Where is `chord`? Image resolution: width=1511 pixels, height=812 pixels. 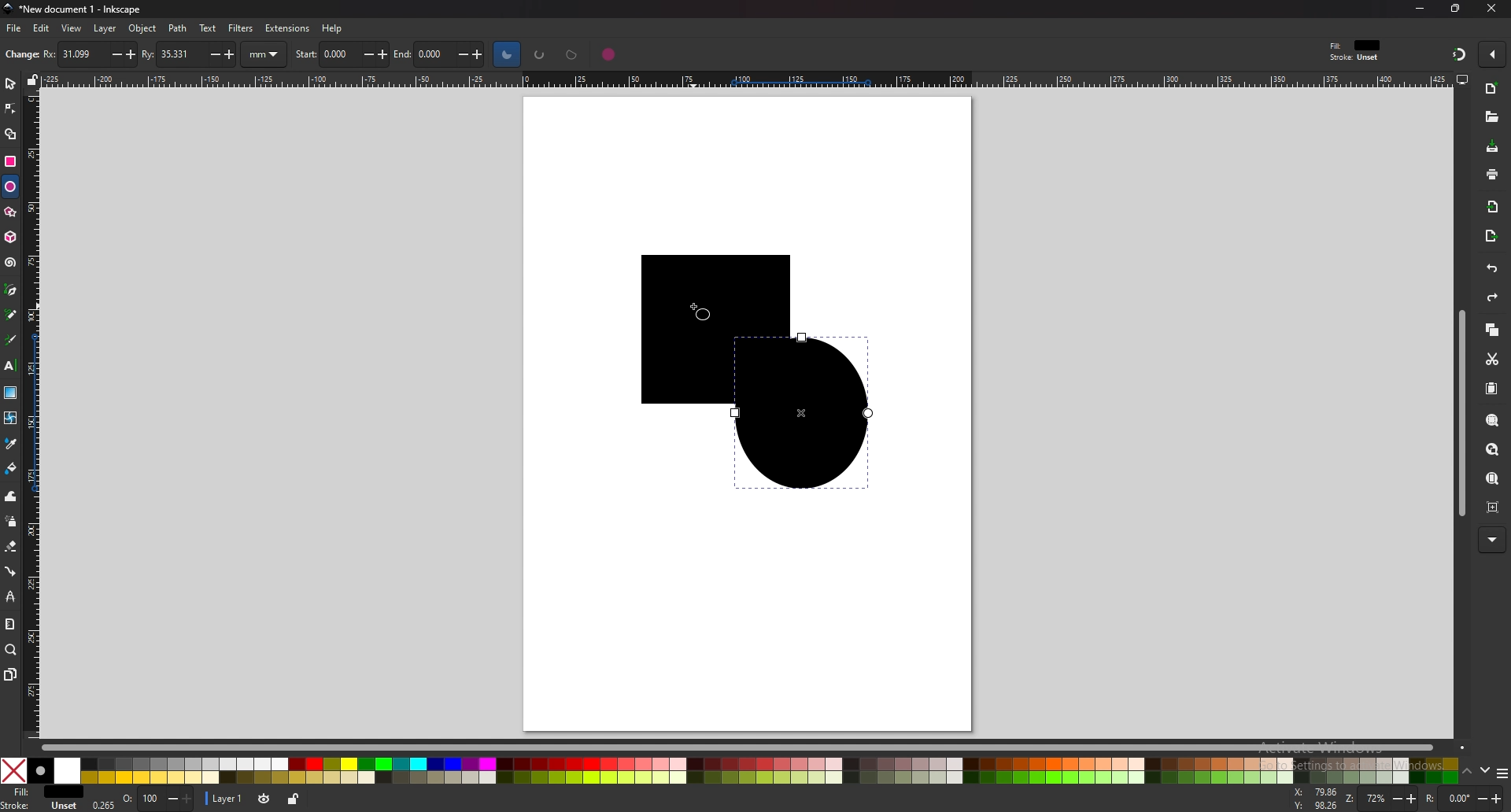
chord is located at coordinates (572, 54).